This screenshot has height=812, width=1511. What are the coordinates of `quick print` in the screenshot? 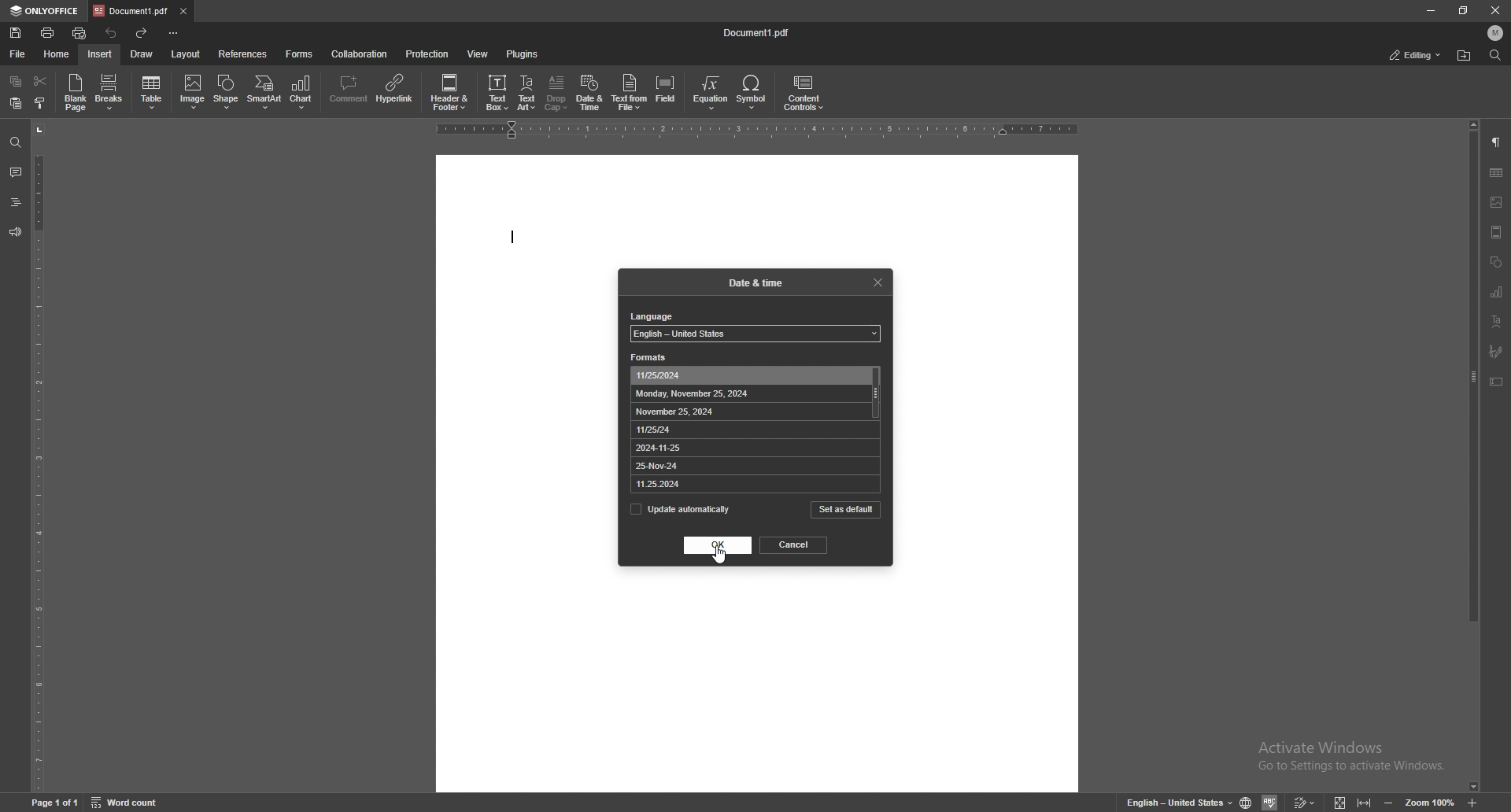 It's located at (79, 35).